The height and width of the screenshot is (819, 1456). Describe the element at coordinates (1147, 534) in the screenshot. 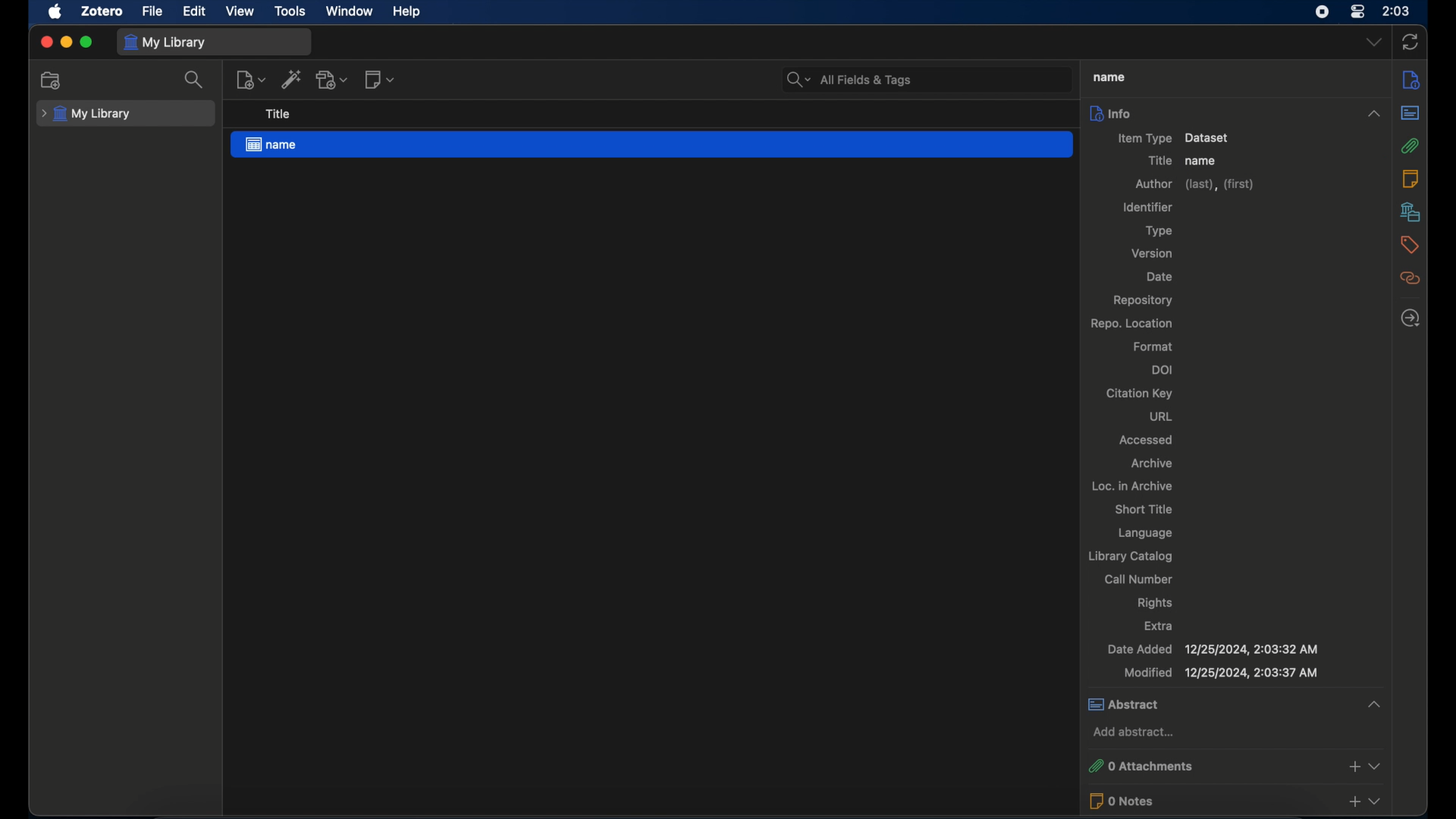

I see `language` at that location.